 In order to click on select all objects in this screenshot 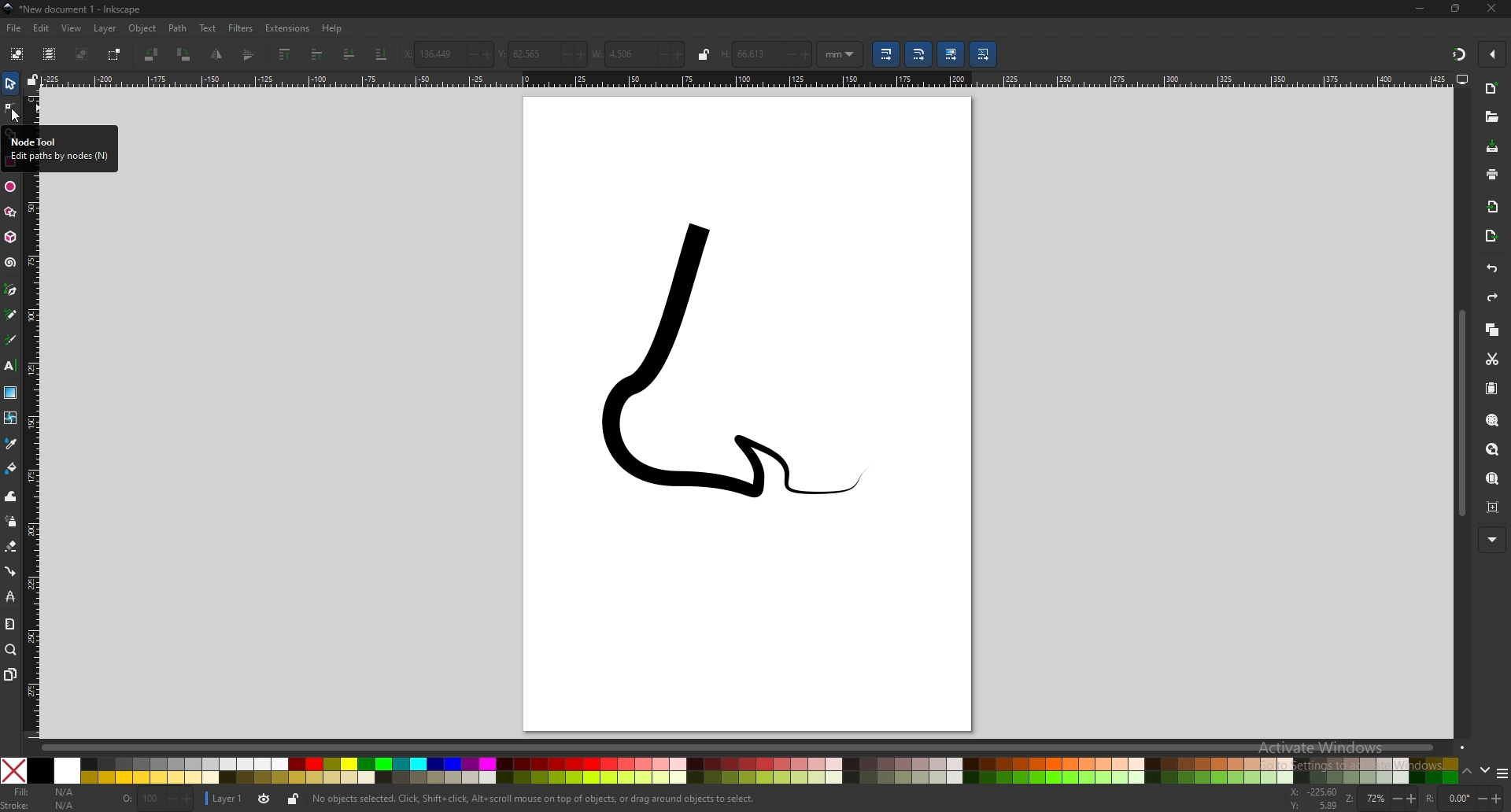, I will do `click(17, 54)`.